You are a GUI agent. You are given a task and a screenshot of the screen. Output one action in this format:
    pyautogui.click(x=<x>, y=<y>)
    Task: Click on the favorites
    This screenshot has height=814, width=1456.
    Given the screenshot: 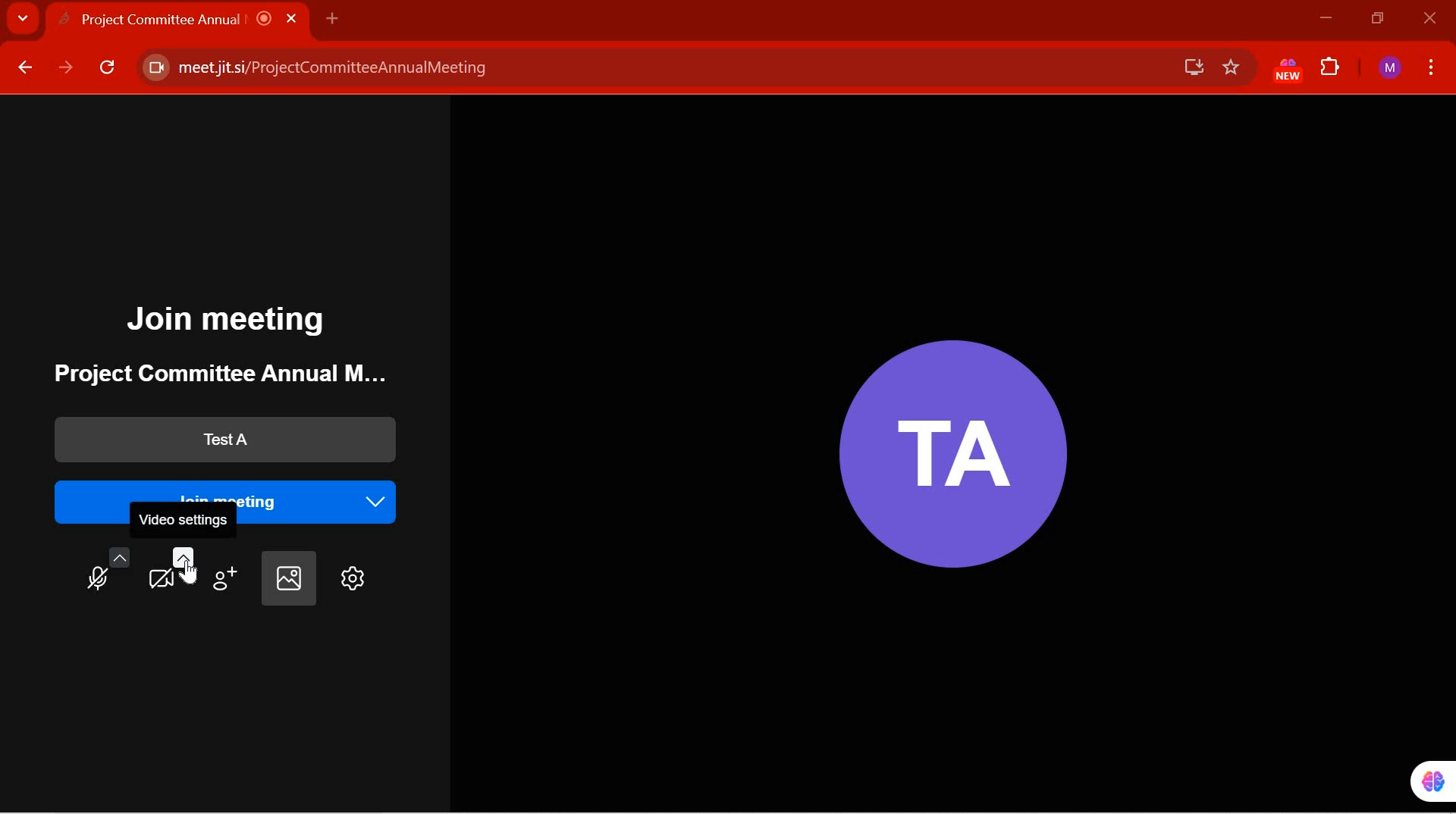 What is the action you would take?
    pyautogui.click(x=1232, y=68)
    